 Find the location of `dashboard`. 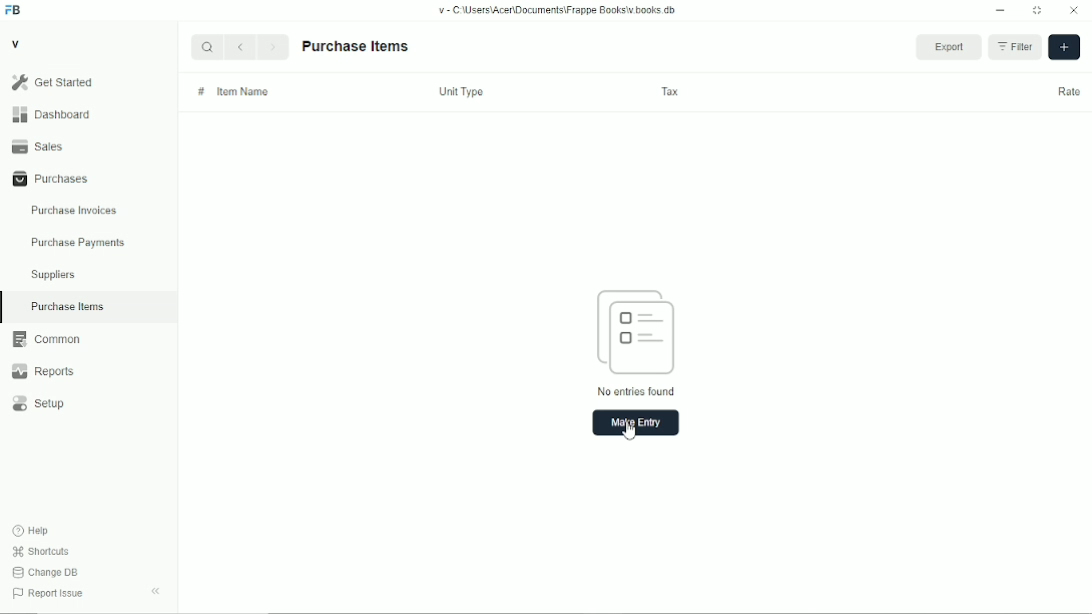

dashboard is located at coordinates (54, 114).